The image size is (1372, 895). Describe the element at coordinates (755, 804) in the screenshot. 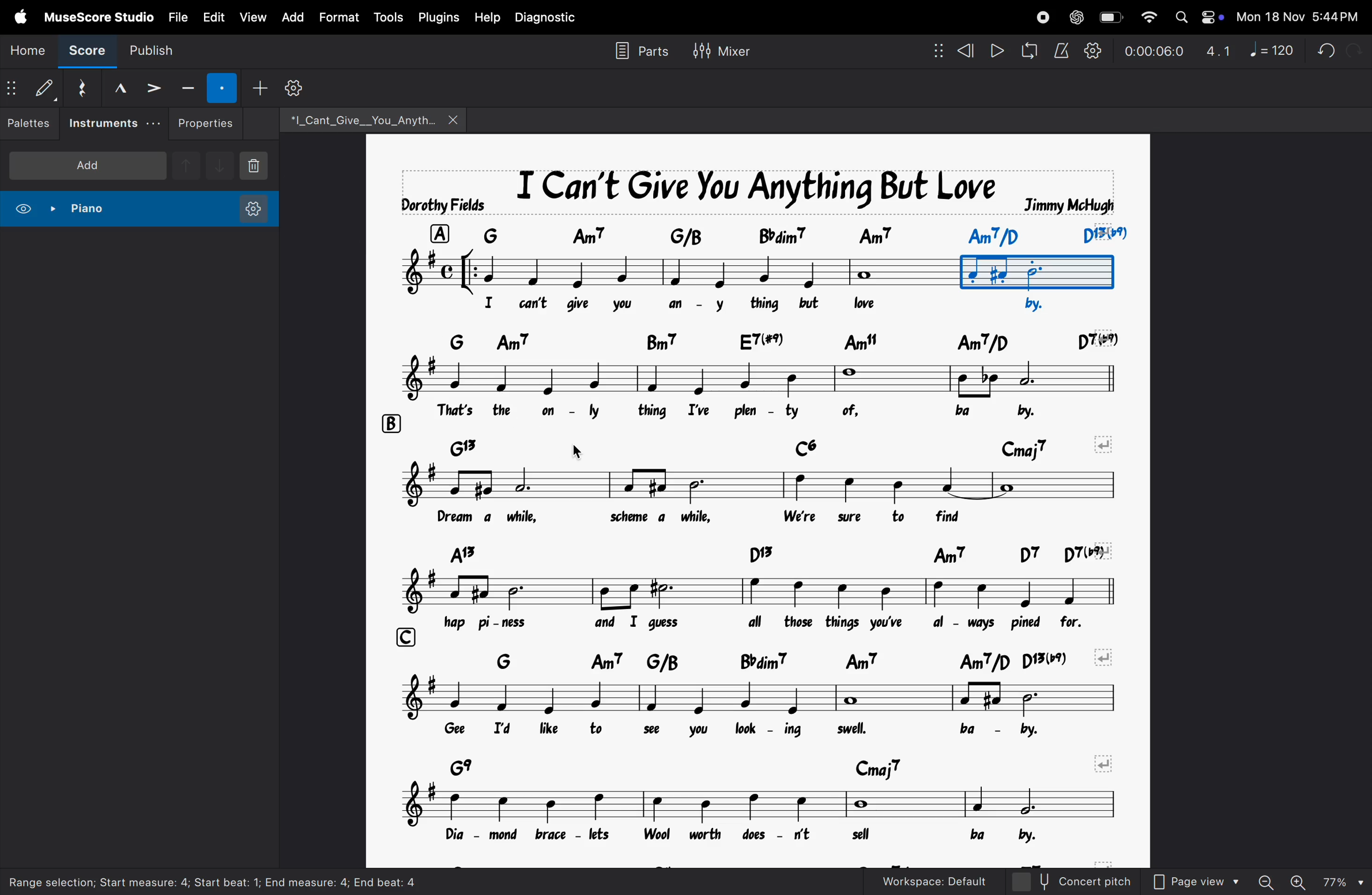

I see `notes` at that location.